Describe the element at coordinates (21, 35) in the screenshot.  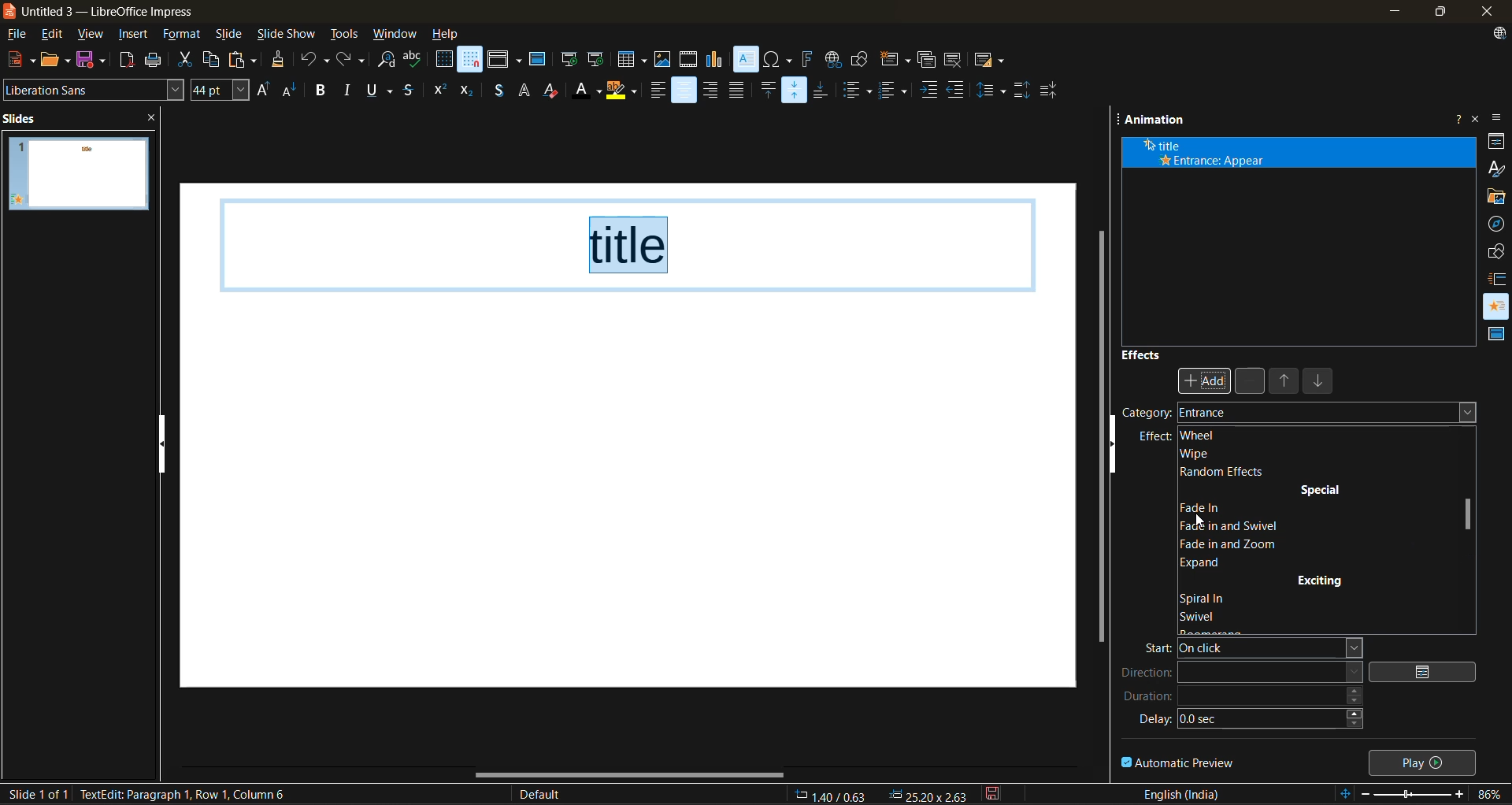
I see `file` at that location.